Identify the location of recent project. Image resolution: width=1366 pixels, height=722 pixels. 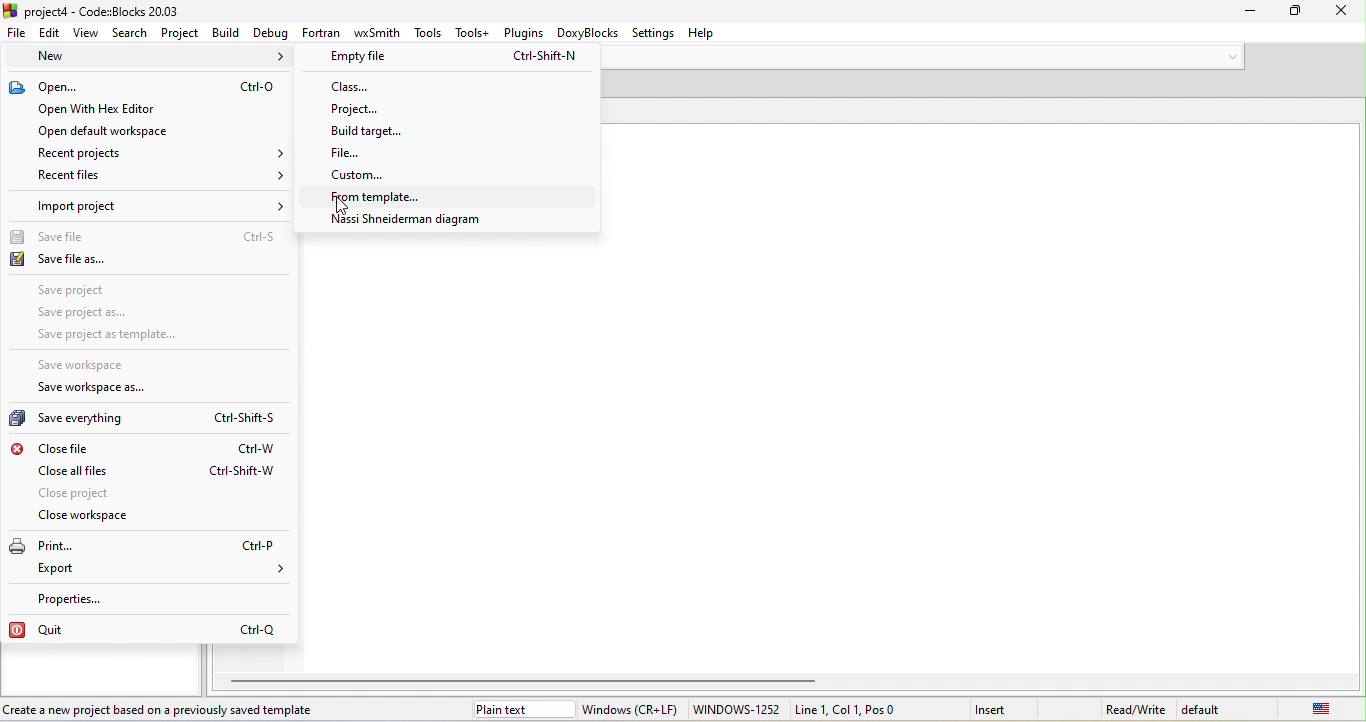
(149, 155).